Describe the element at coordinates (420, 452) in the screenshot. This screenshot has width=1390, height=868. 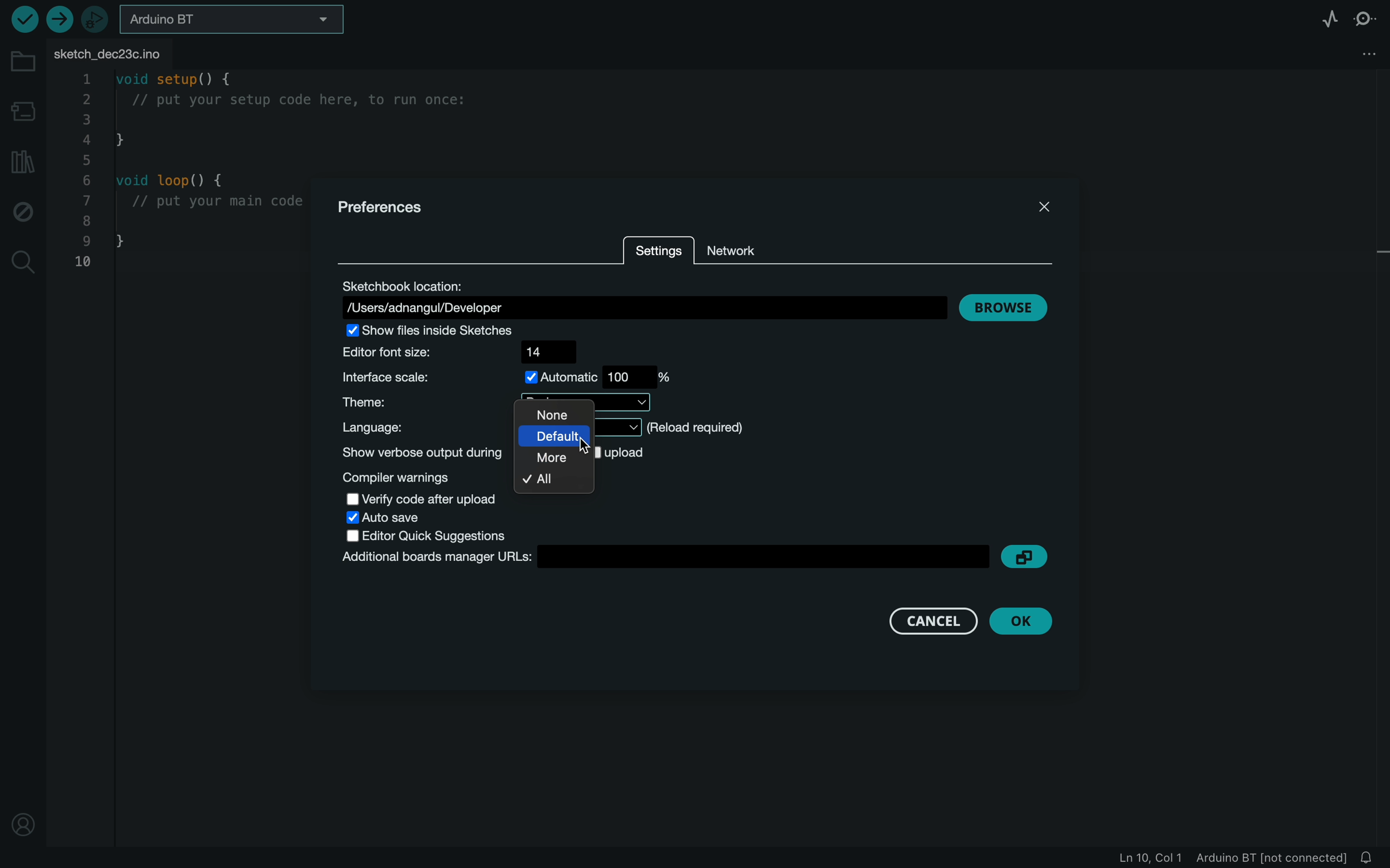
I see `show verbose outpur` at that location.